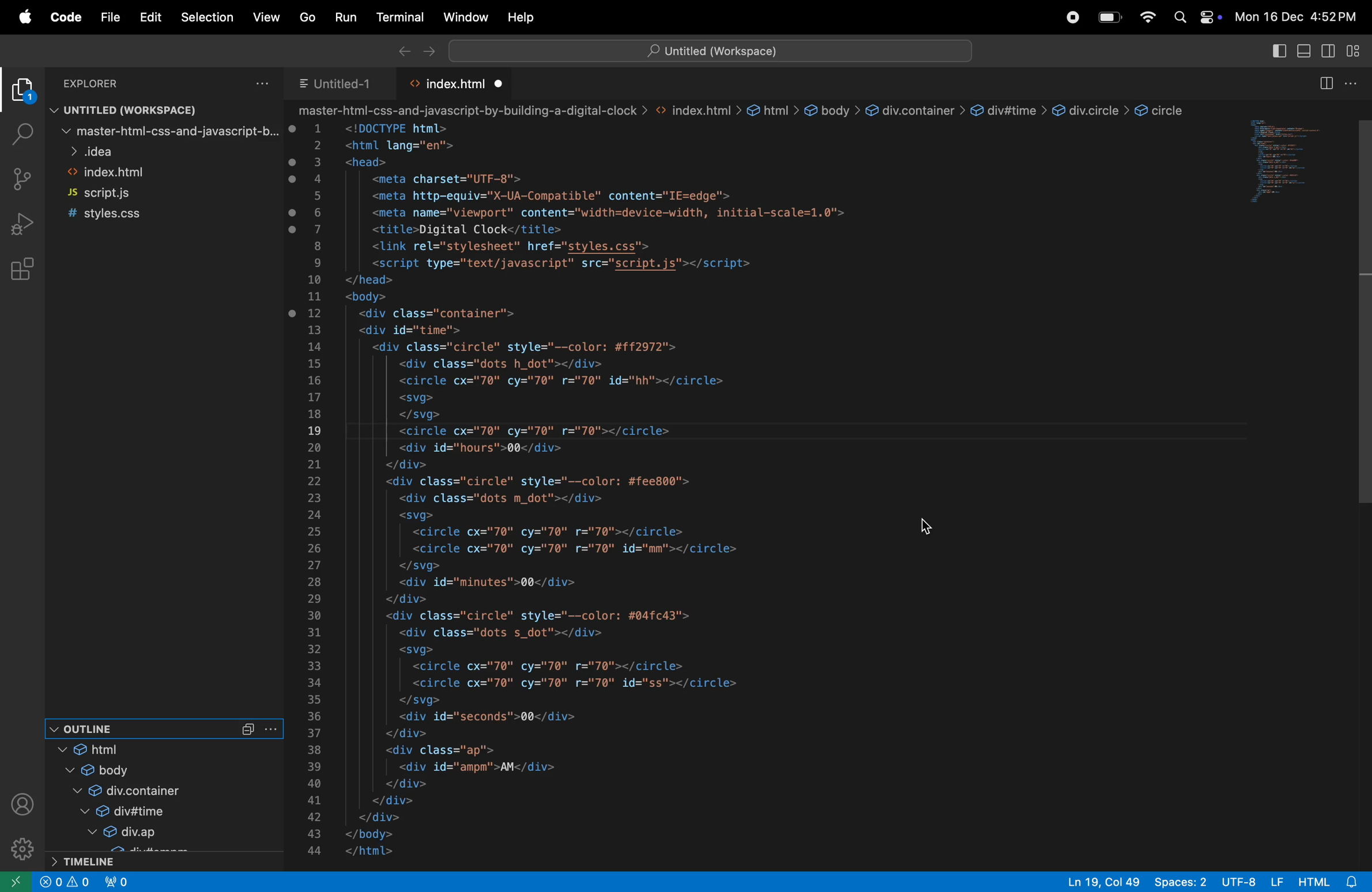 The image size is (1372, 892). I want to click on div container, so click(123, 793).